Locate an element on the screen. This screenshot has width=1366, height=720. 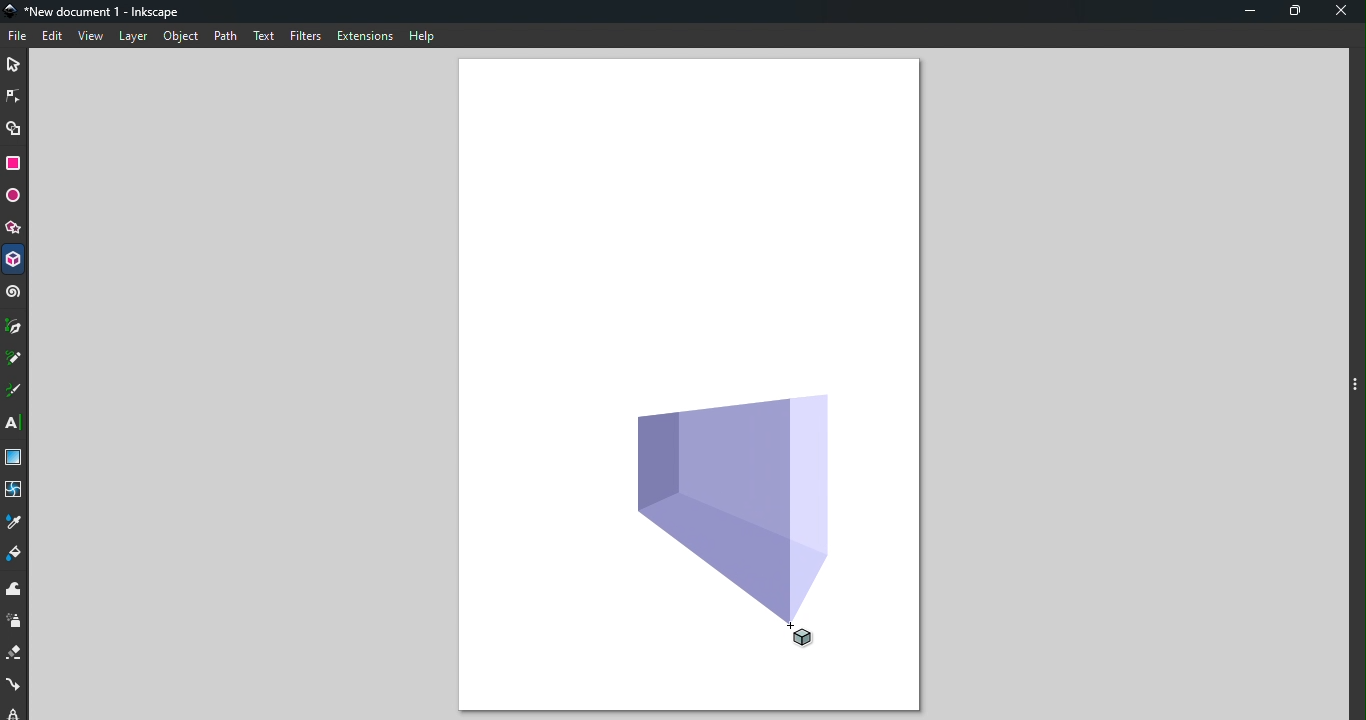
Object is located at coordinates (744, 502).